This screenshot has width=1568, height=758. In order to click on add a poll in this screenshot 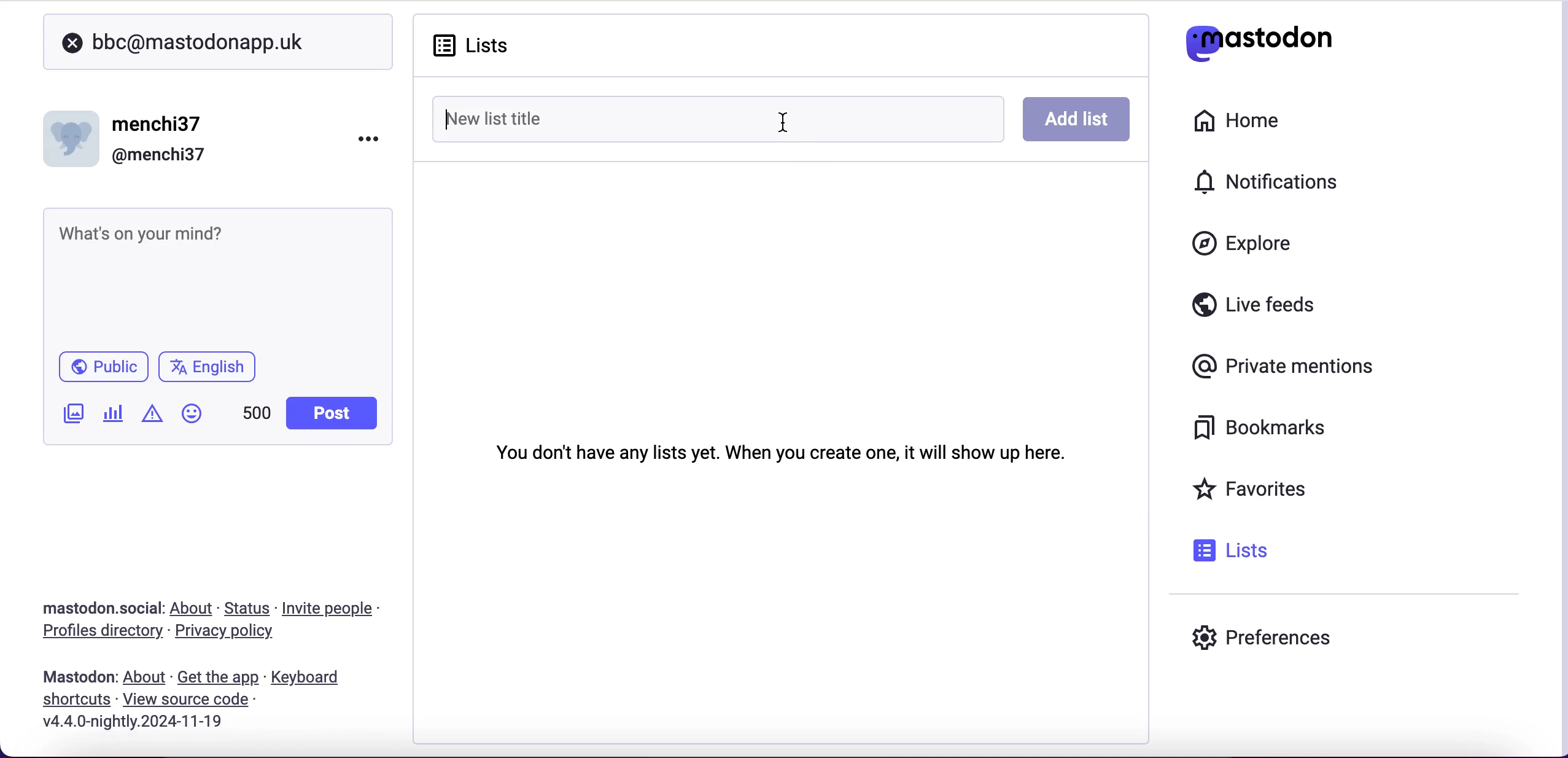, I will do `click(112, 418)`.